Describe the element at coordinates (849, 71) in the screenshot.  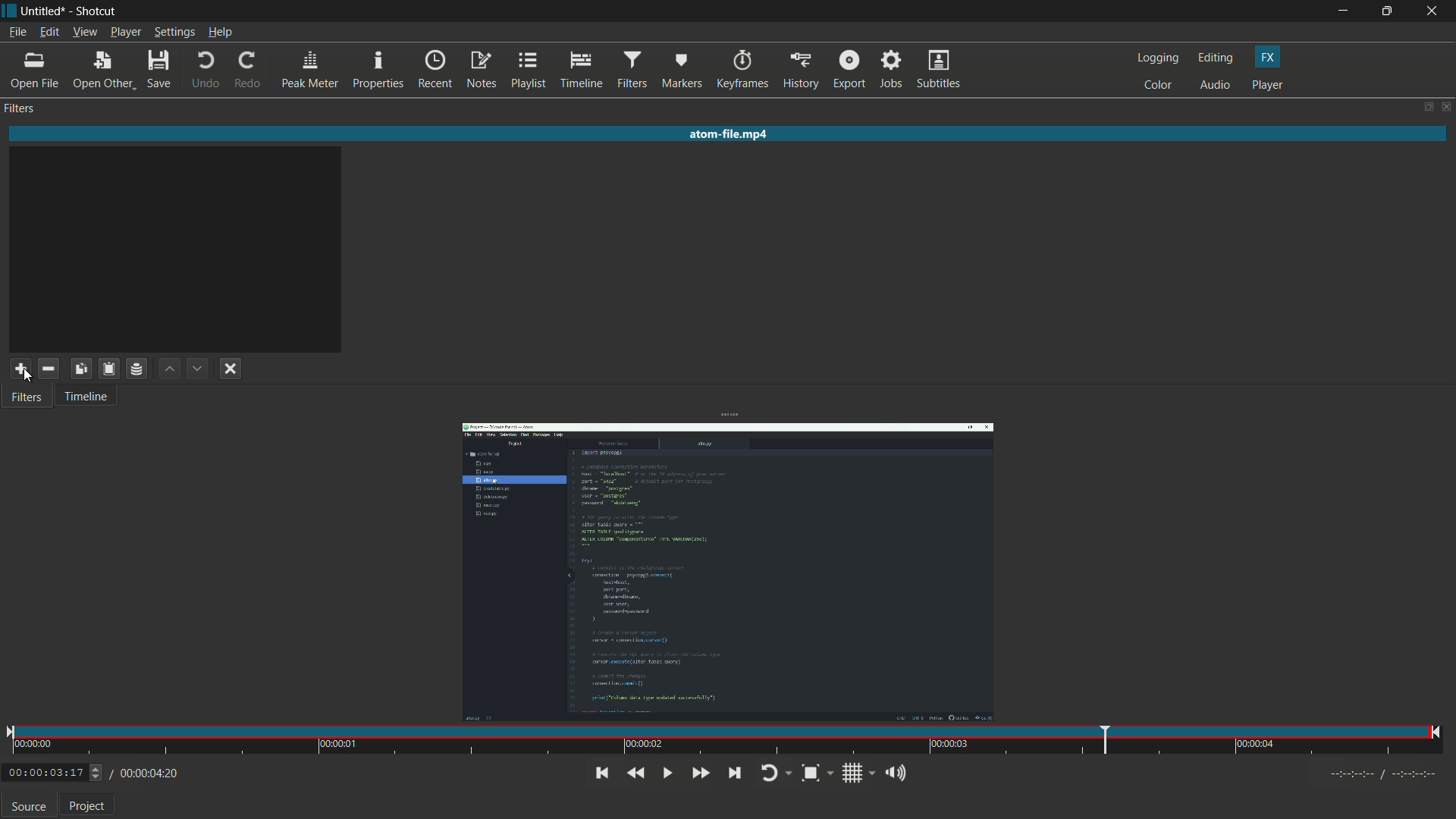
I see `export` at that location.